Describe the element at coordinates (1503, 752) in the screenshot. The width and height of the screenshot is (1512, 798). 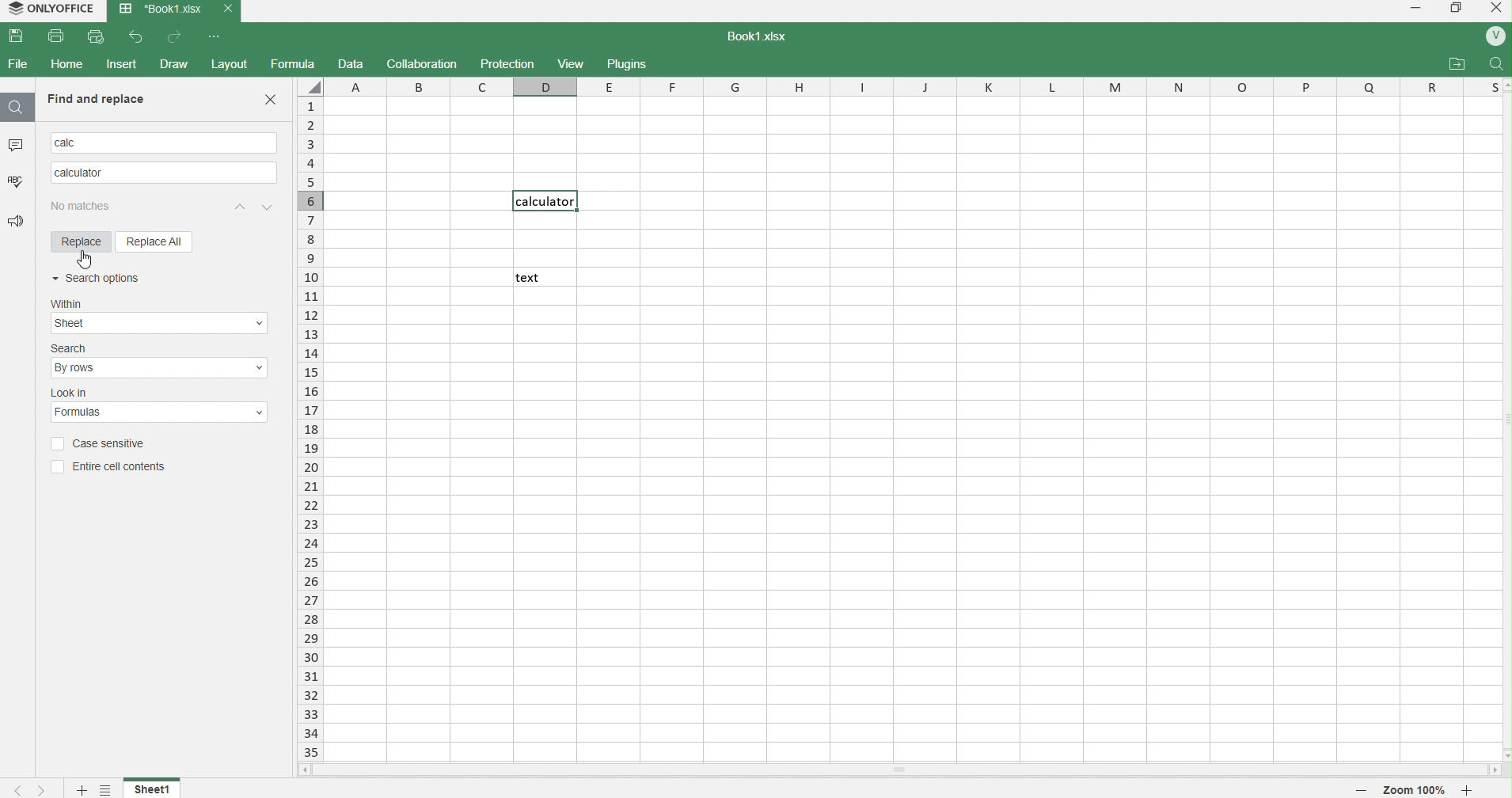
I see `move down` at that location.